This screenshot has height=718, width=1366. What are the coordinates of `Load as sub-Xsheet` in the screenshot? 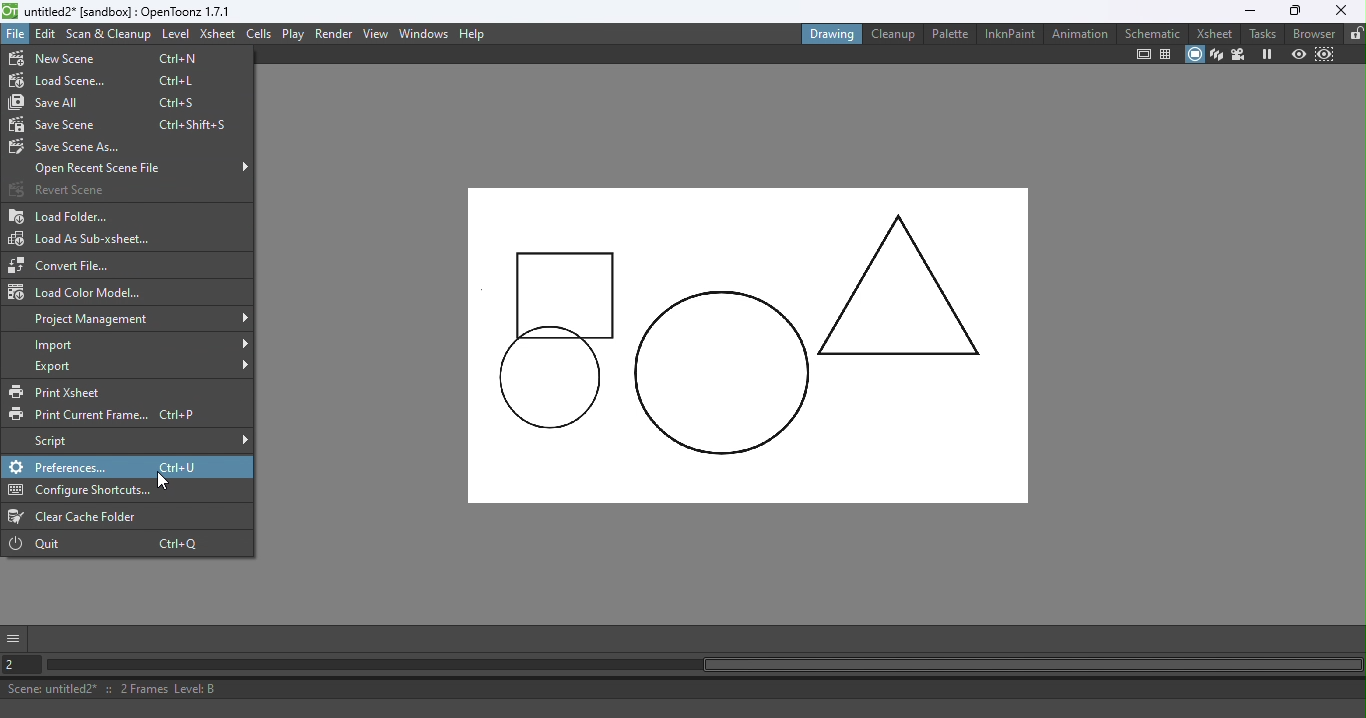 It's located at (80, 241).